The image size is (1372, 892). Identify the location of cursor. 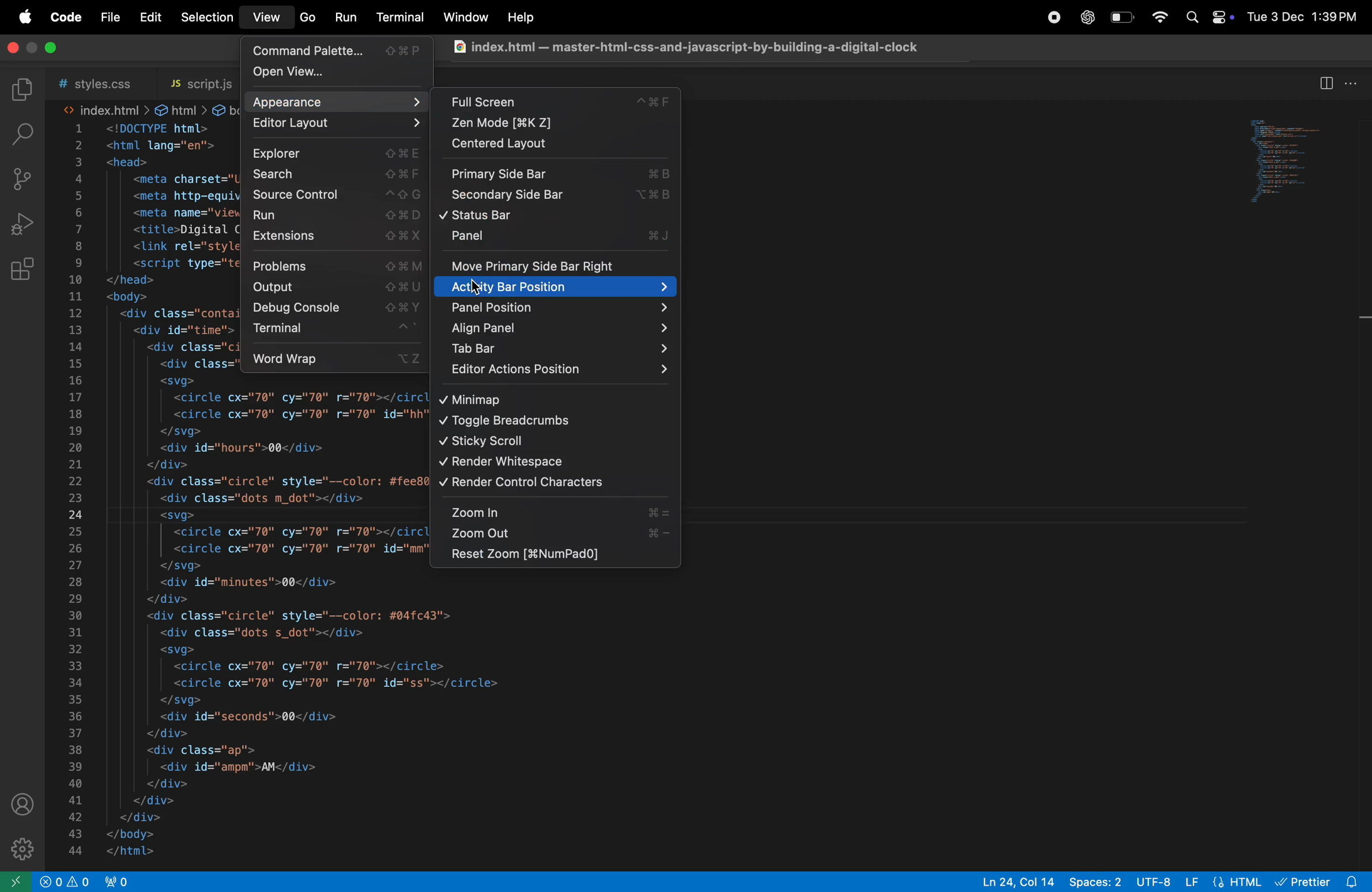
(478, 289).